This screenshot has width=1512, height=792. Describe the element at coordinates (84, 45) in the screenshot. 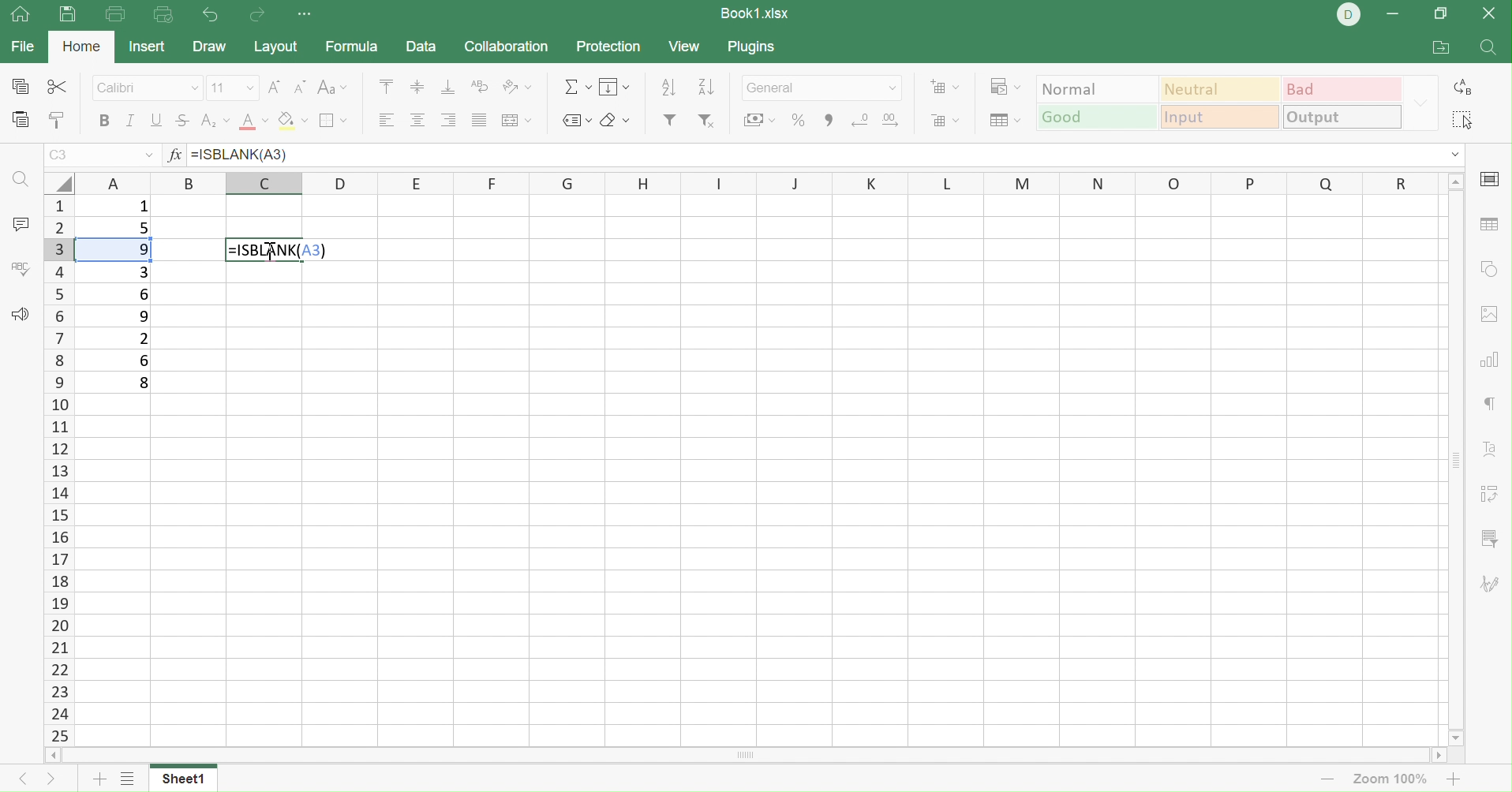

I see `Home` at that location.